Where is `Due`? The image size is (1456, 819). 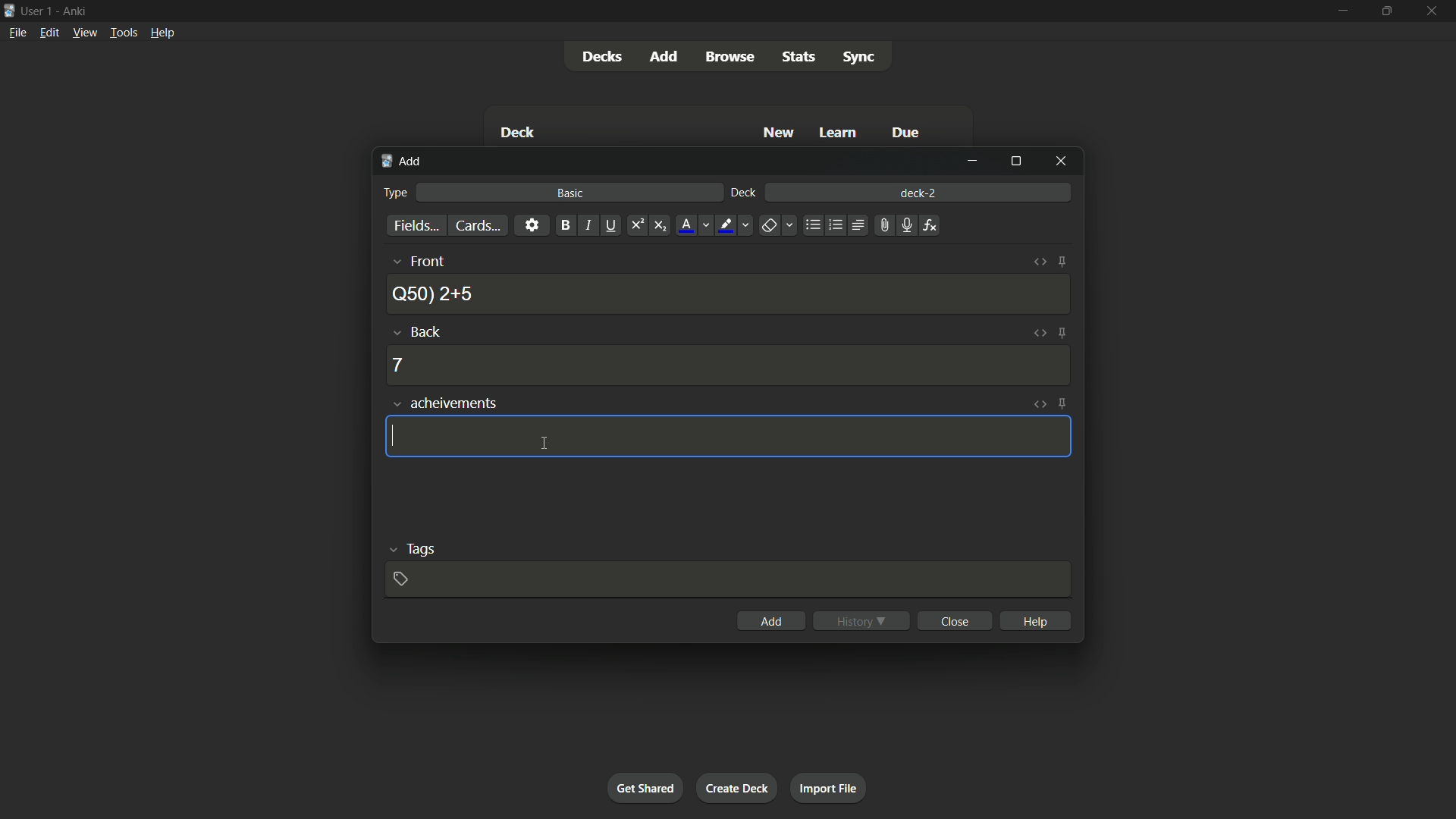 Due is located at coordinates (907, 132).